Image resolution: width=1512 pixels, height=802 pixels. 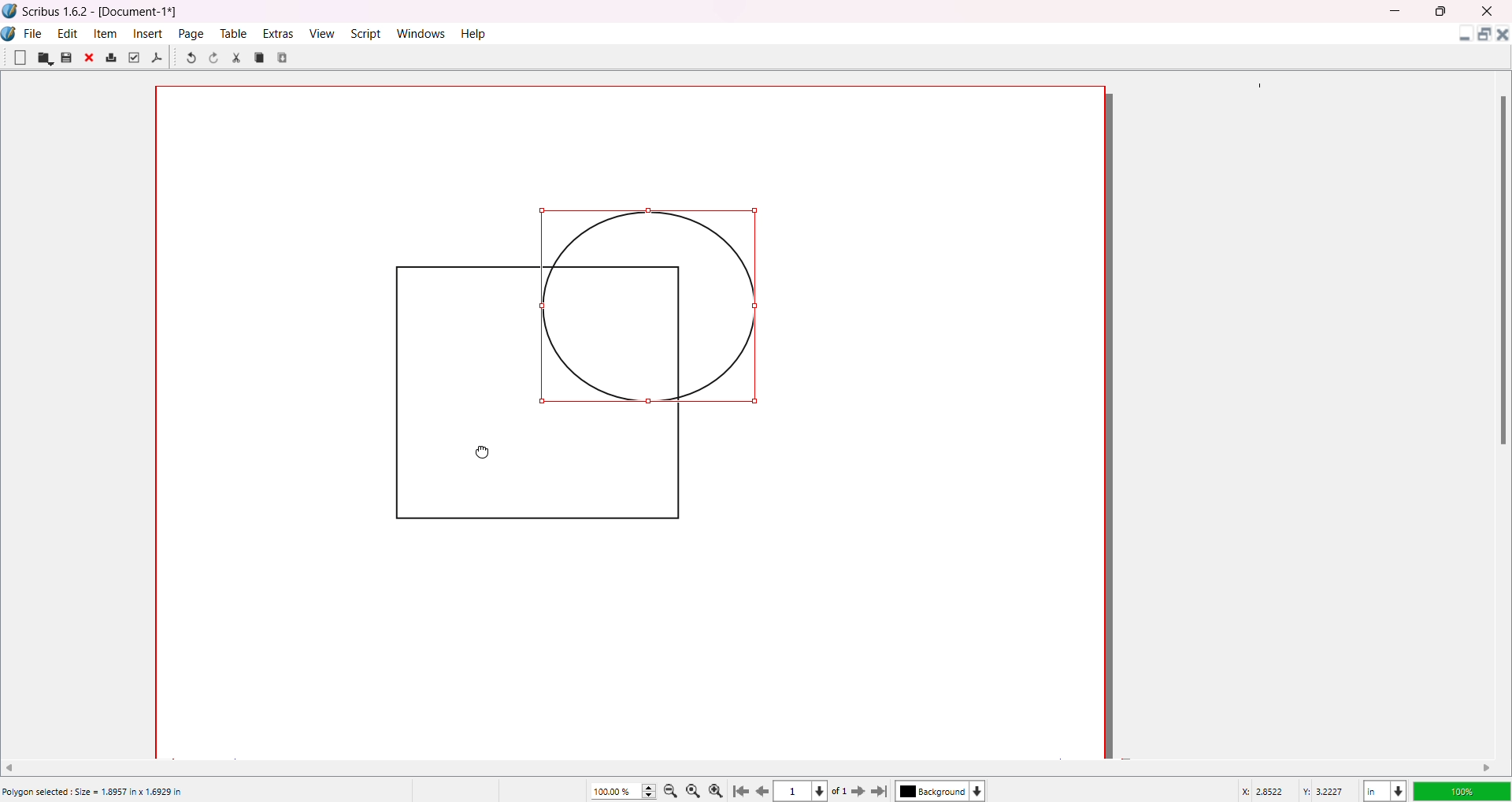 What do you see at coordinates (368, 32) in the screenshot?
I see `Script` at bounding box center [368, 32].